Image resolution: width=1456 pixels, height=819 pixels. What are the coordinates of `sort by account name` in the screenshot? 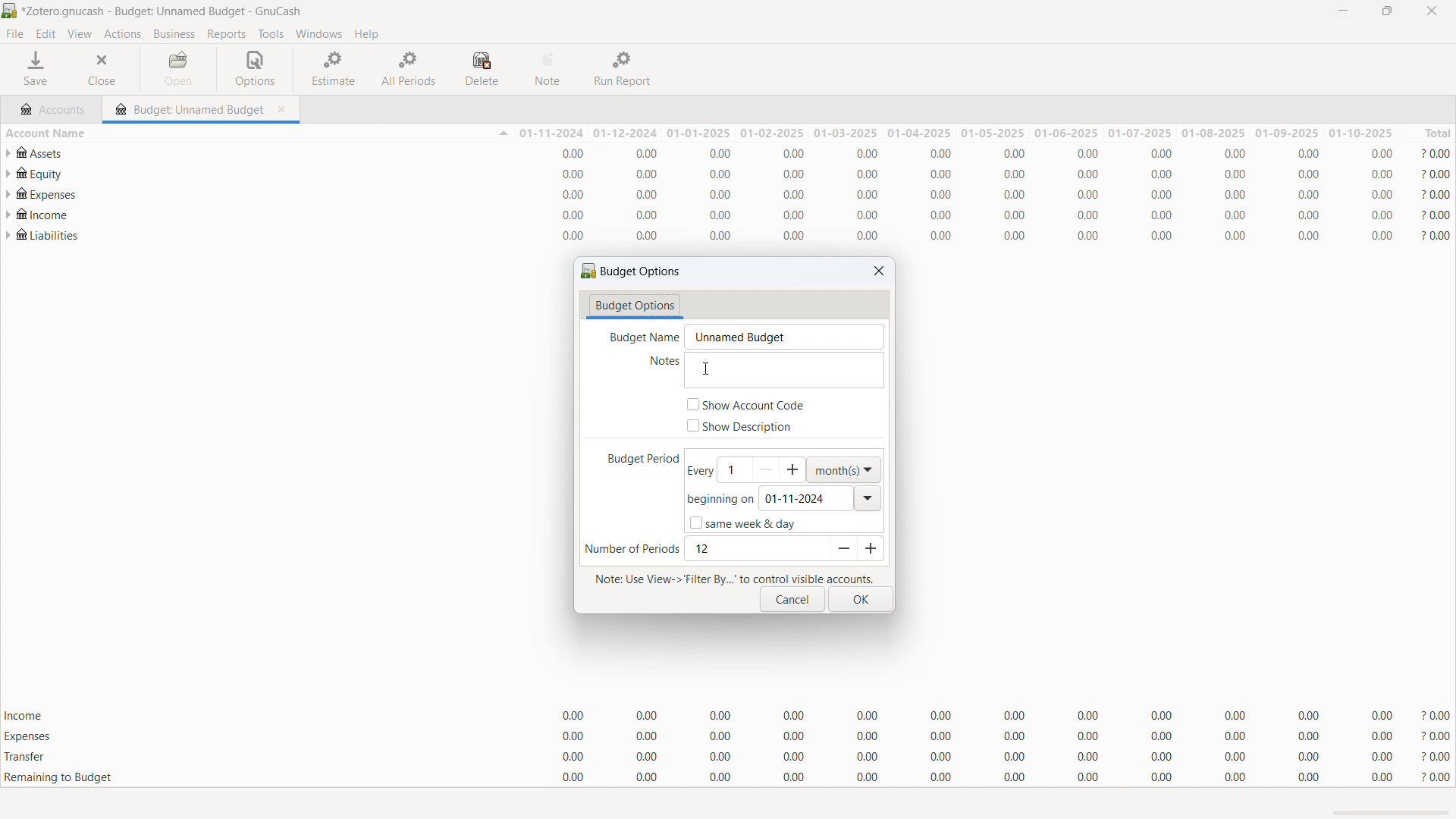 It's located at (256, 132).